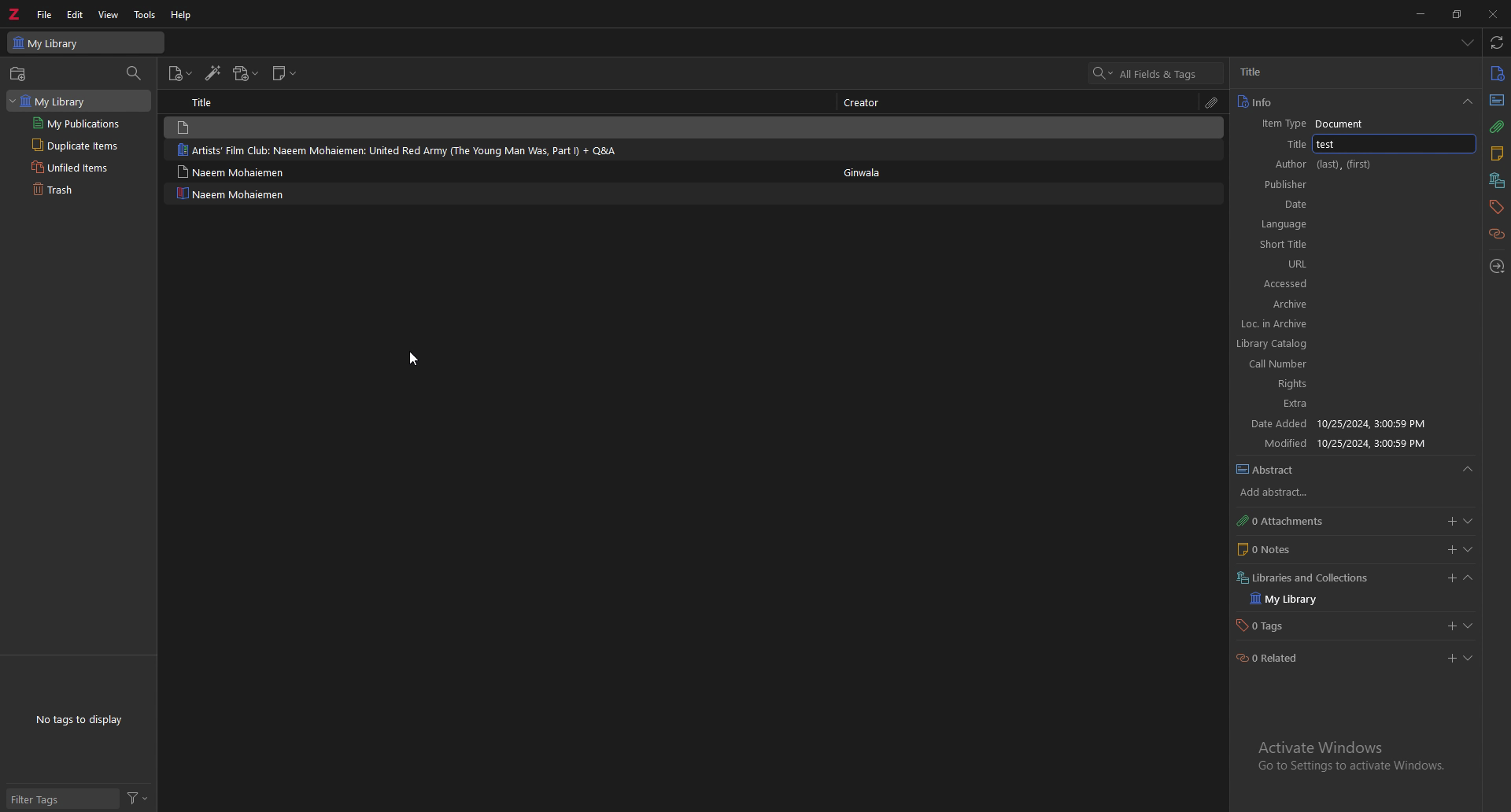  What do you see at coordinates (142, 798) in the screenshot?
I see `Filter` at bounding box center [142, 798].